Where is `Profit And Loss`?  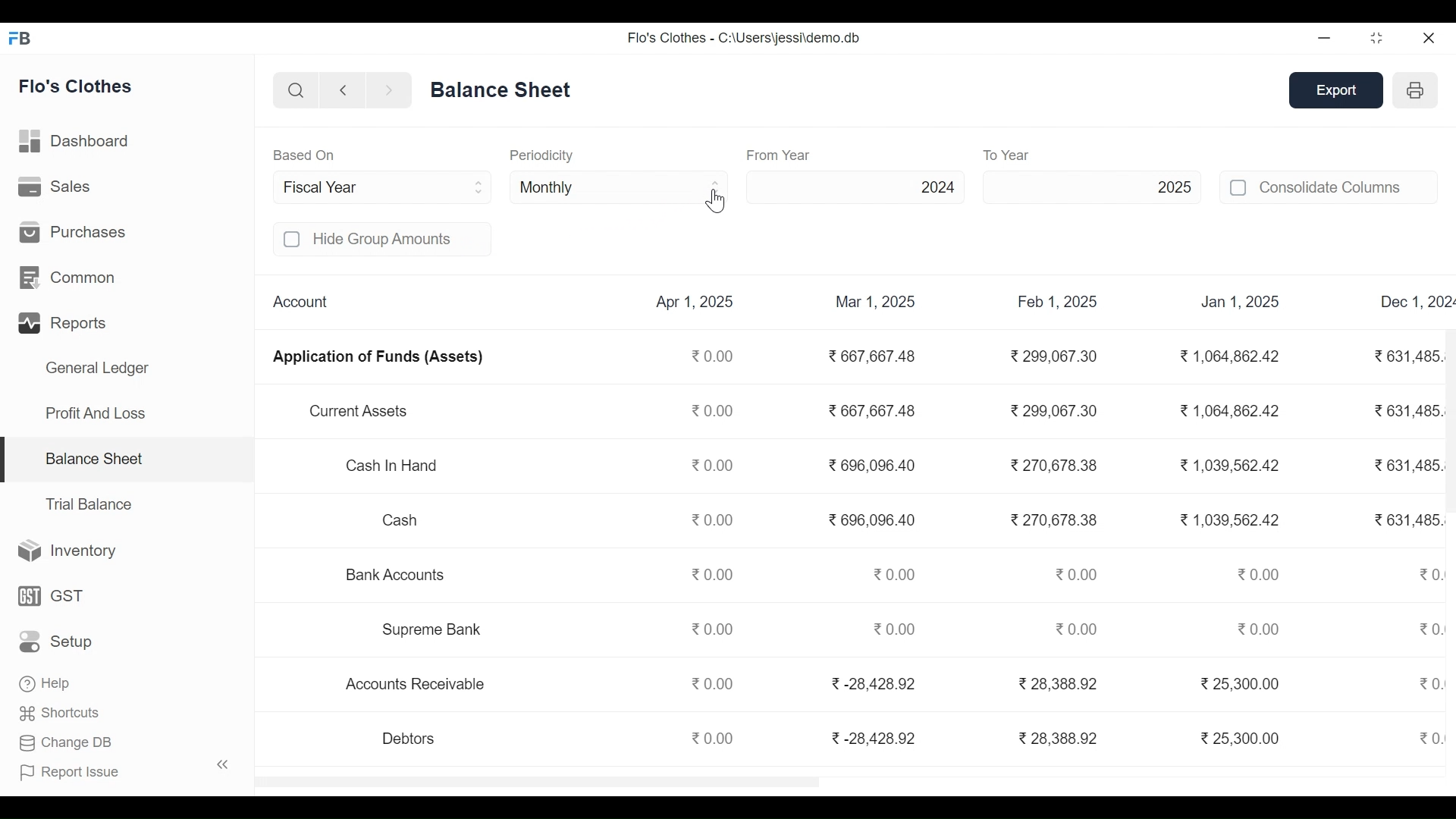 Profit And Loss is located at coordinates (95, 413).